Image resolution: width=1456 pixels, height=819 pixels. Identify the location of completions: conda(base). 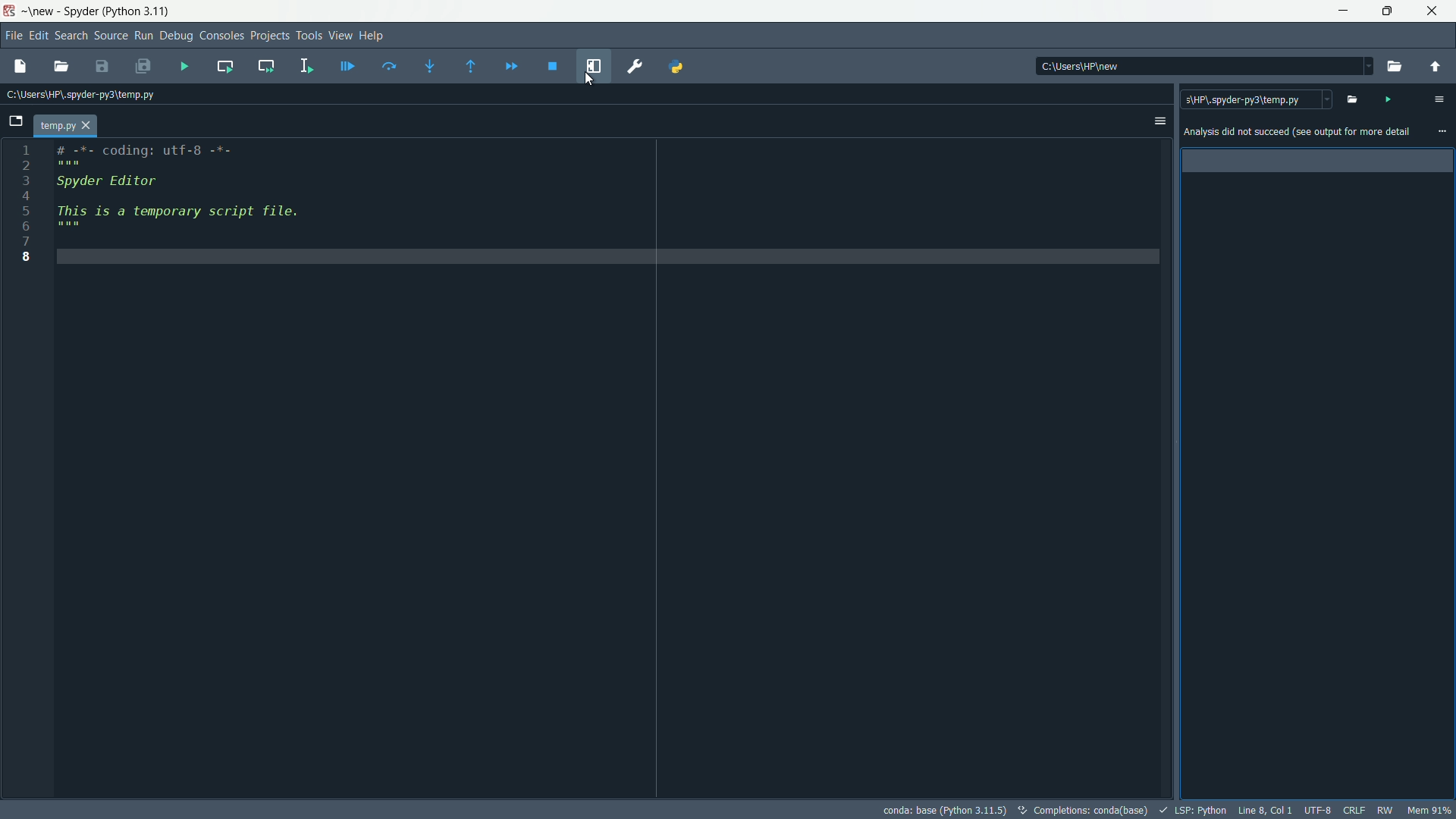
(1091, 810).